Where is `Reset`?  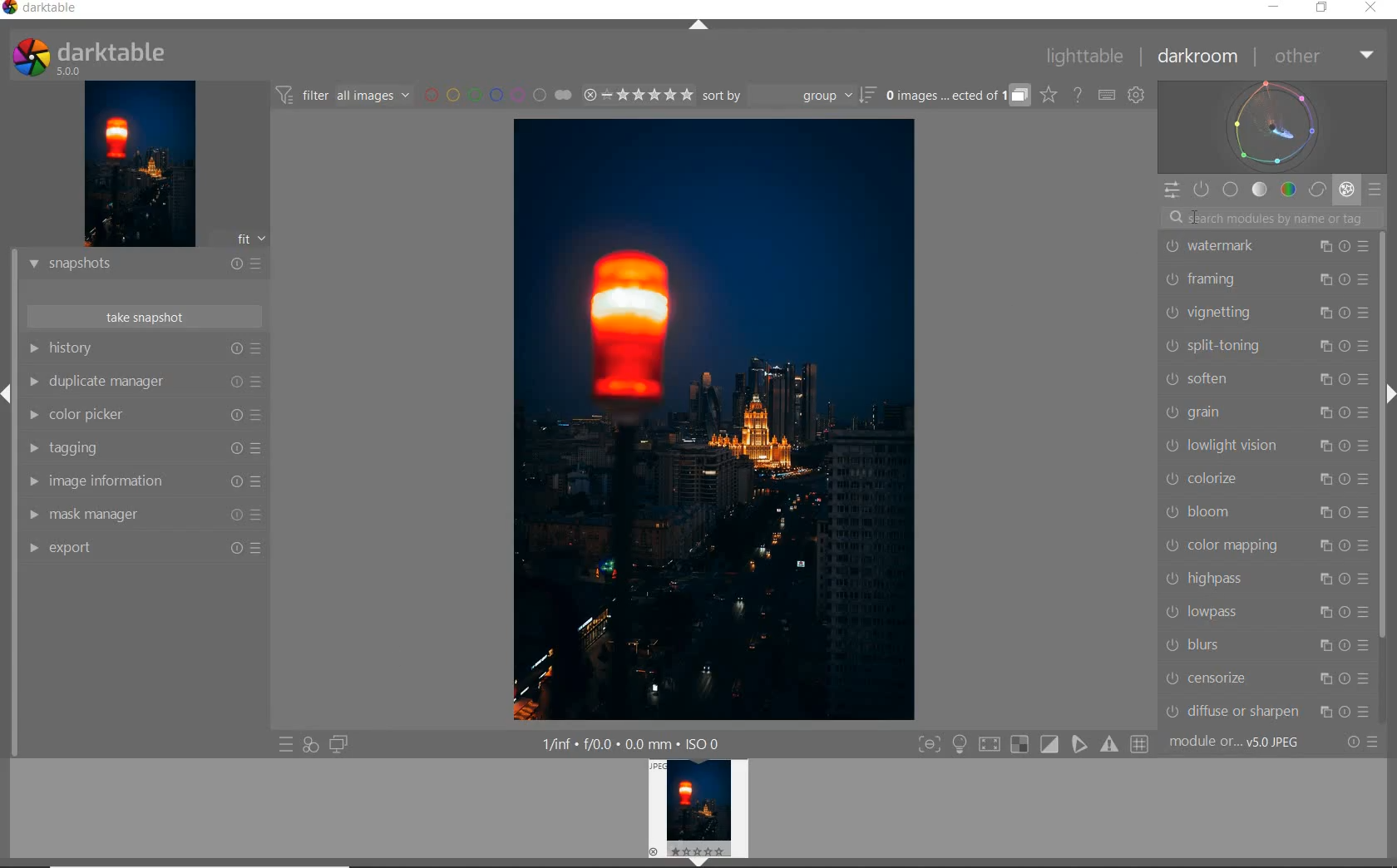
Reset is located at coordinates (234, 547).